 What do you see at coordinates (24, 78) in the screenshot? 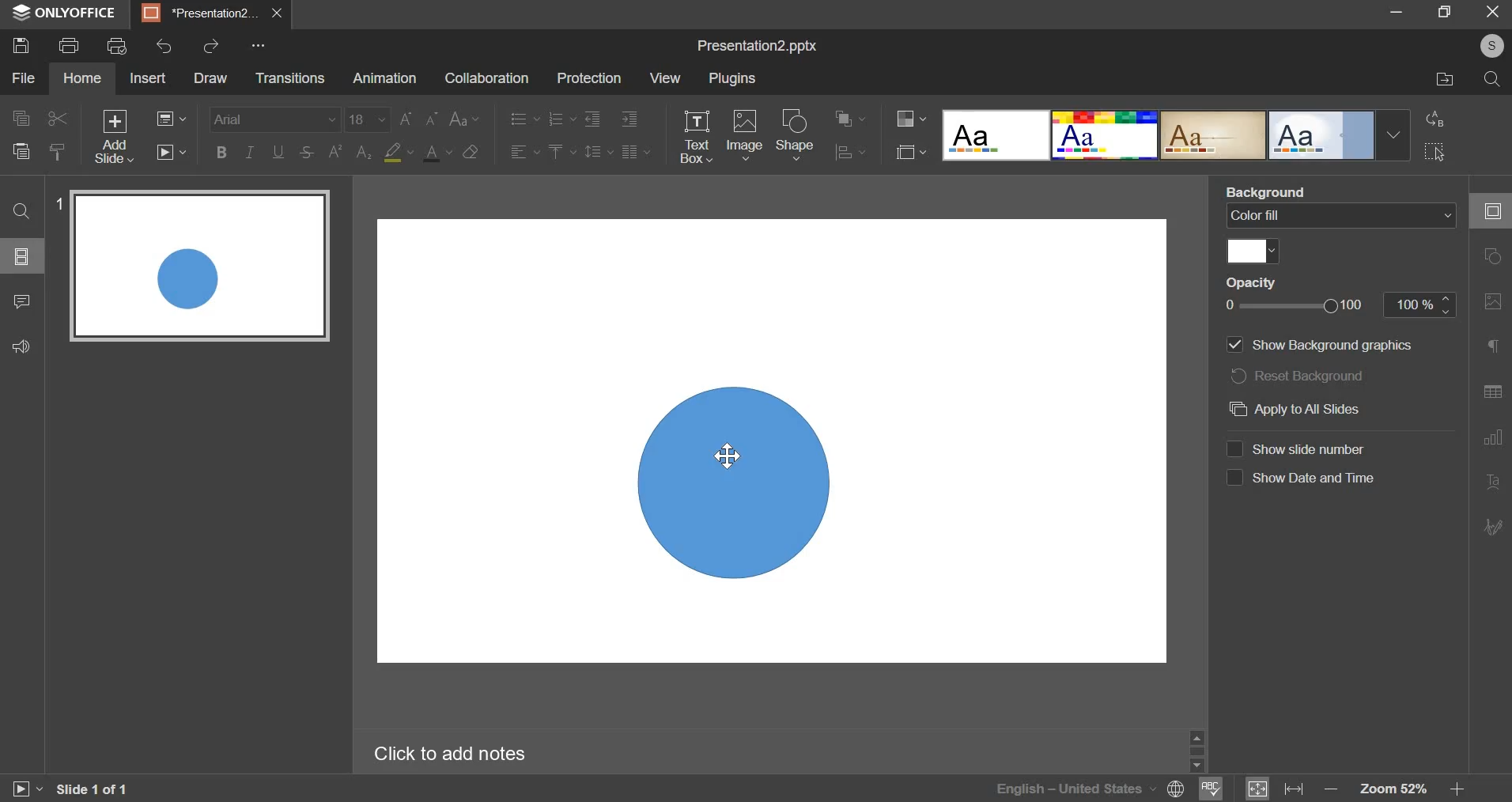
I see `file` at bounding box center [24, 78].